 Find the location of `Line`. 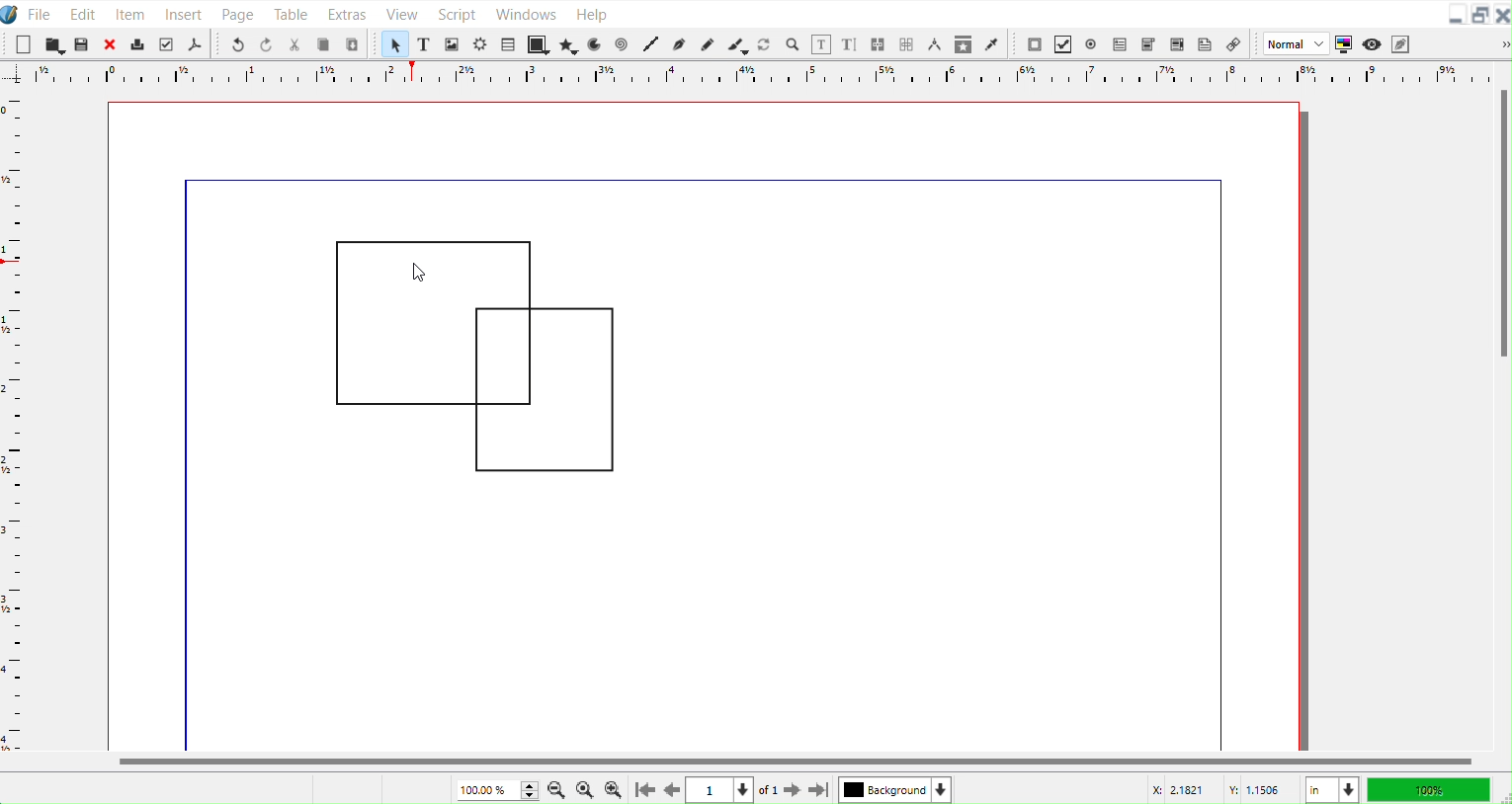

Line is located at coordinates (653, 45).